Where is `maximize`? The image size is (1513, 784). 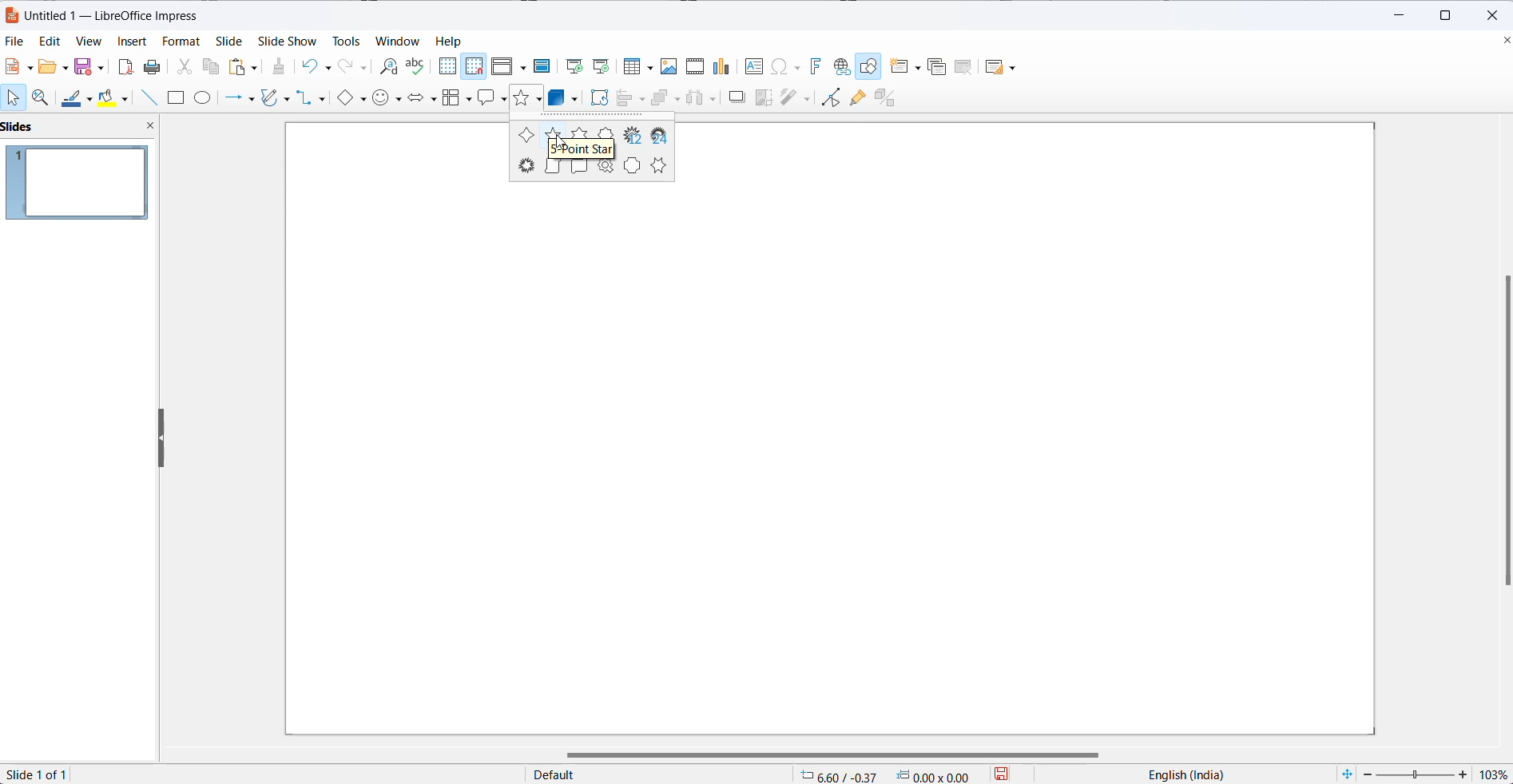 maximize is located at coordinates (1448, 16).